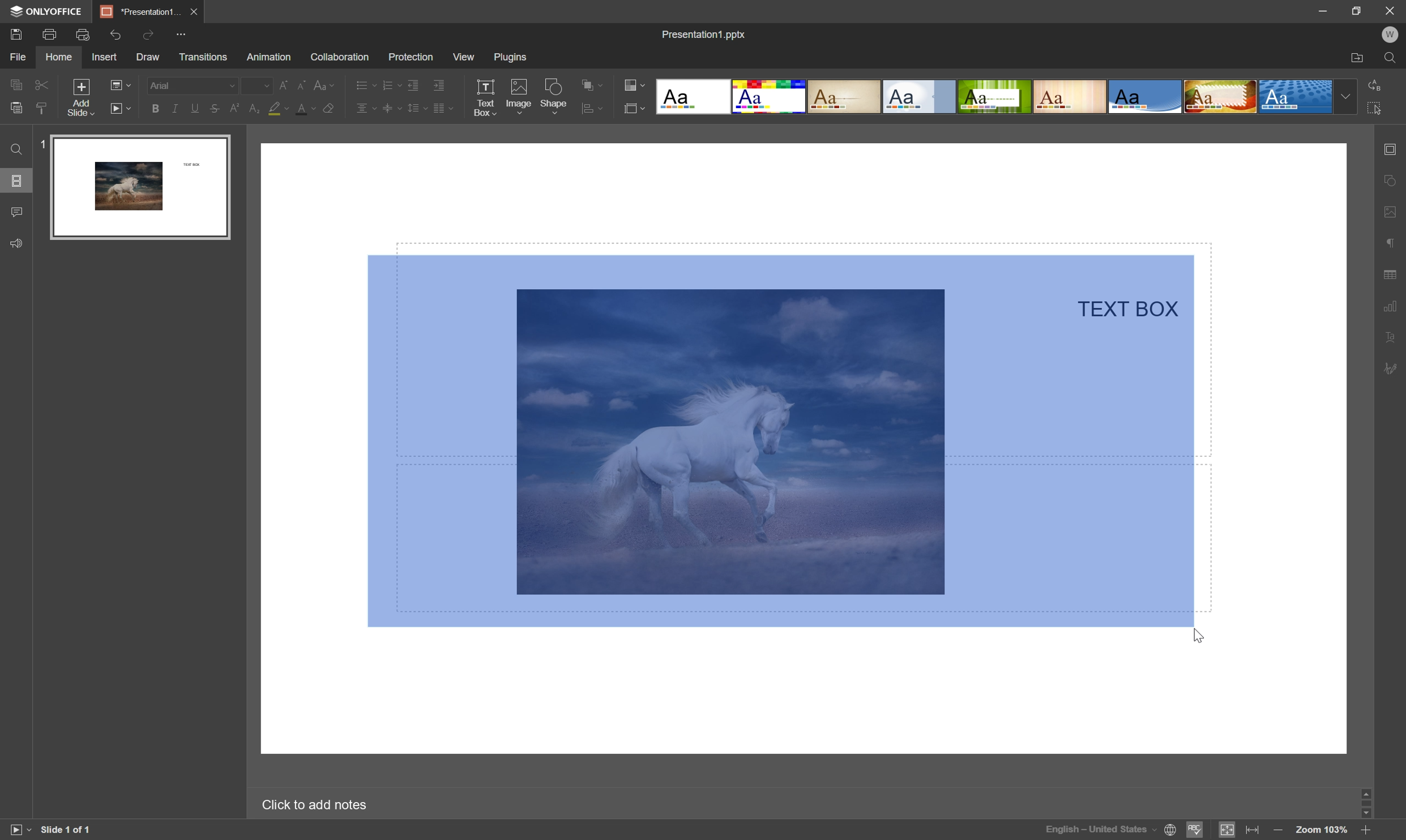 This screenshot has height=840, width=1406. I want to click on 1, so click(40, 142).